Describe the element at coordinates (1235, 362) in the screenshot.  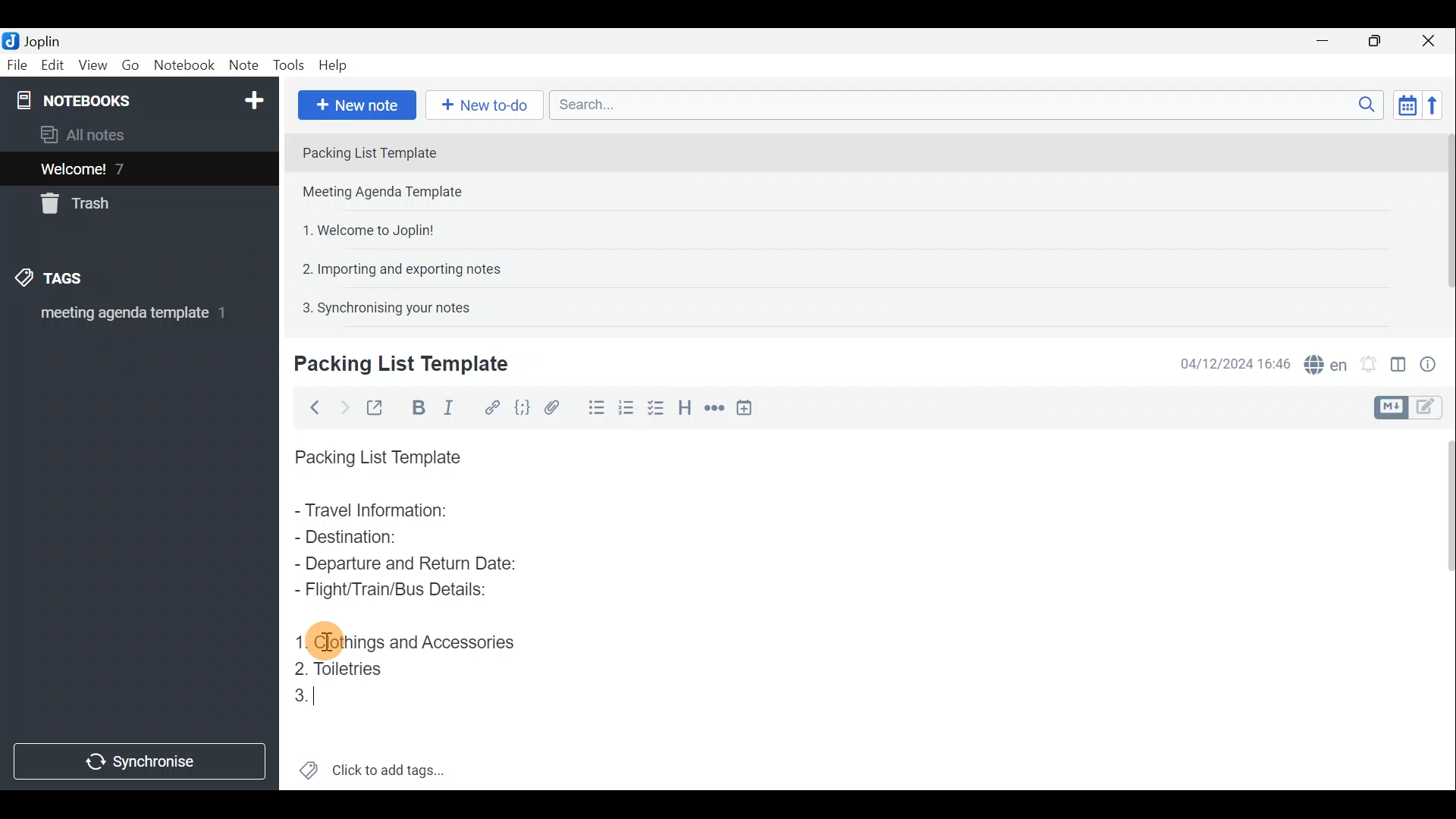
I see `Date & time` at that location.